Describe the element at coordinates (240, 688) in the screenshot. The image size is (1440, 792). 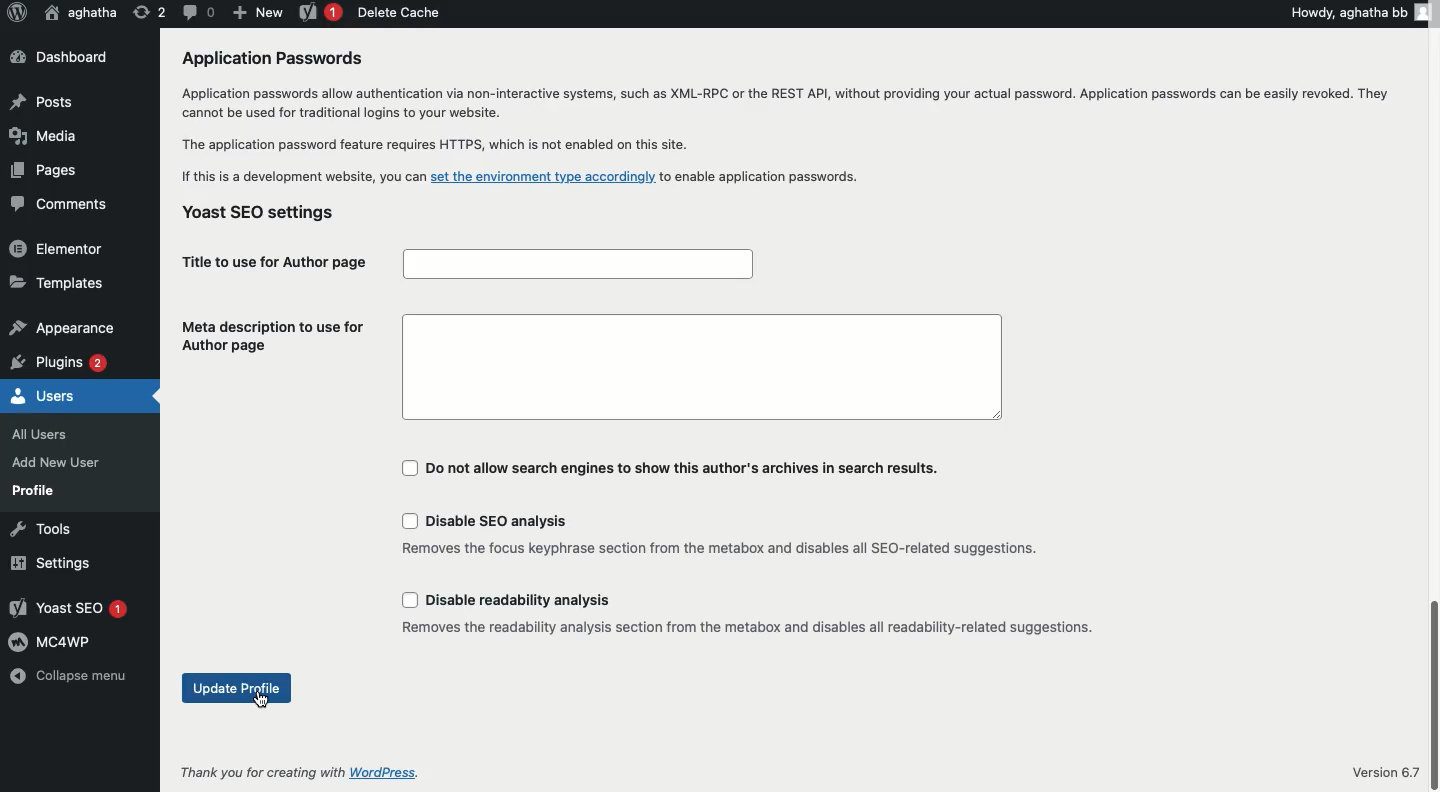
I see `Update profile` at that location.